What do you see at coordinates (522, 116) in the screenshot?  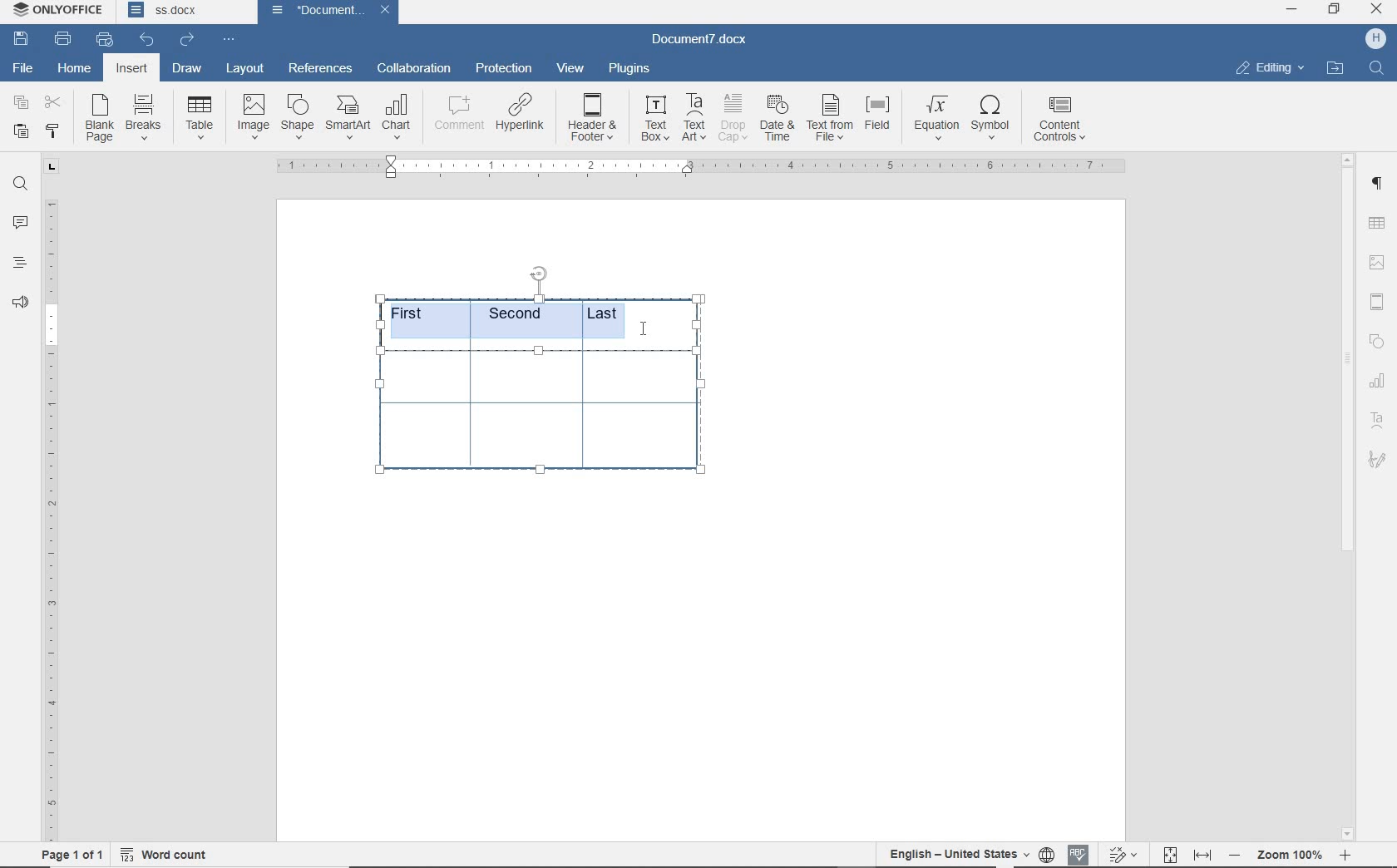 I see `hyperlink` at bounding box center [522, 116].